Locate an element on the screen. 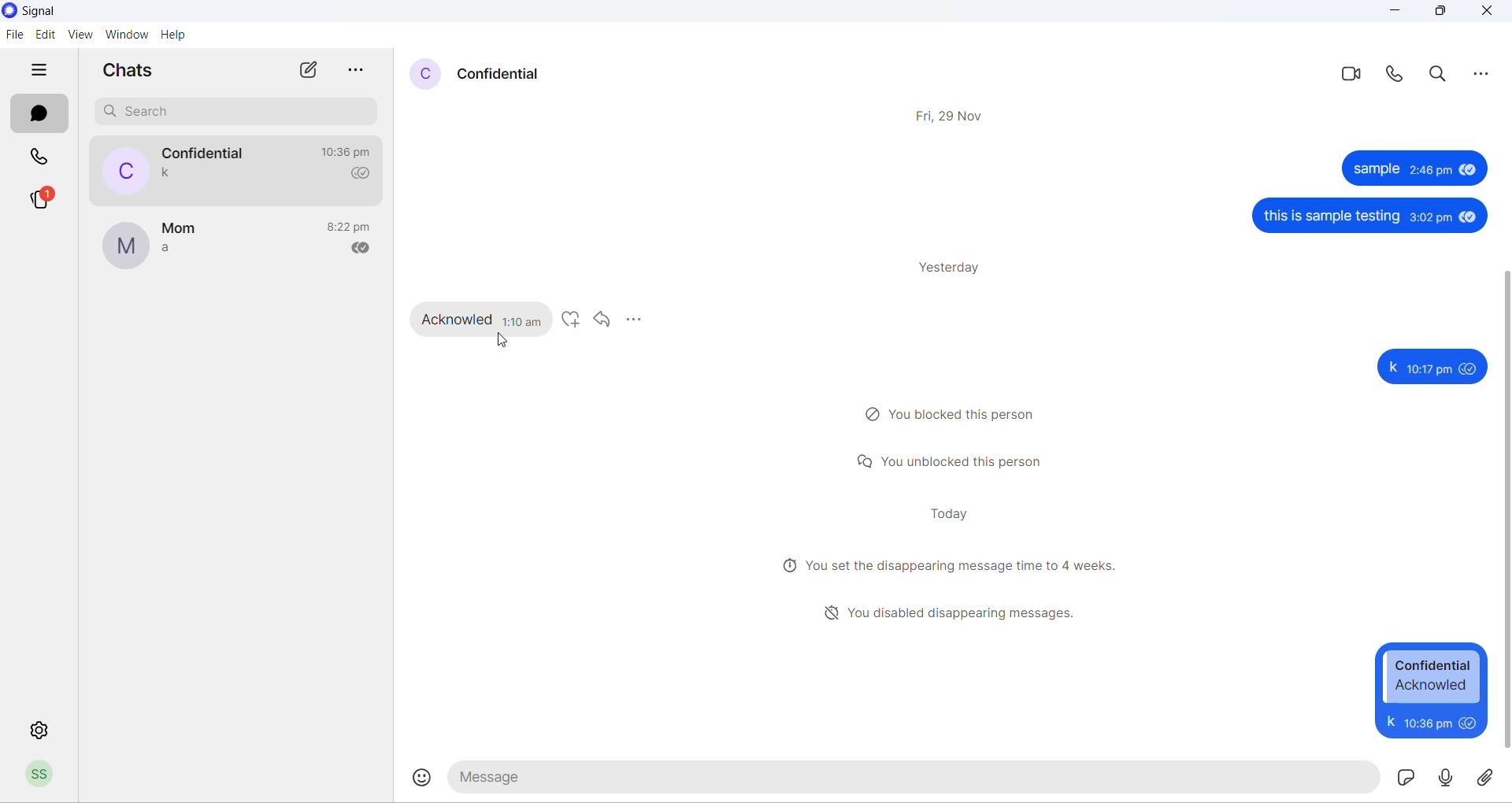  last message time is located at coordinates (355, 154).